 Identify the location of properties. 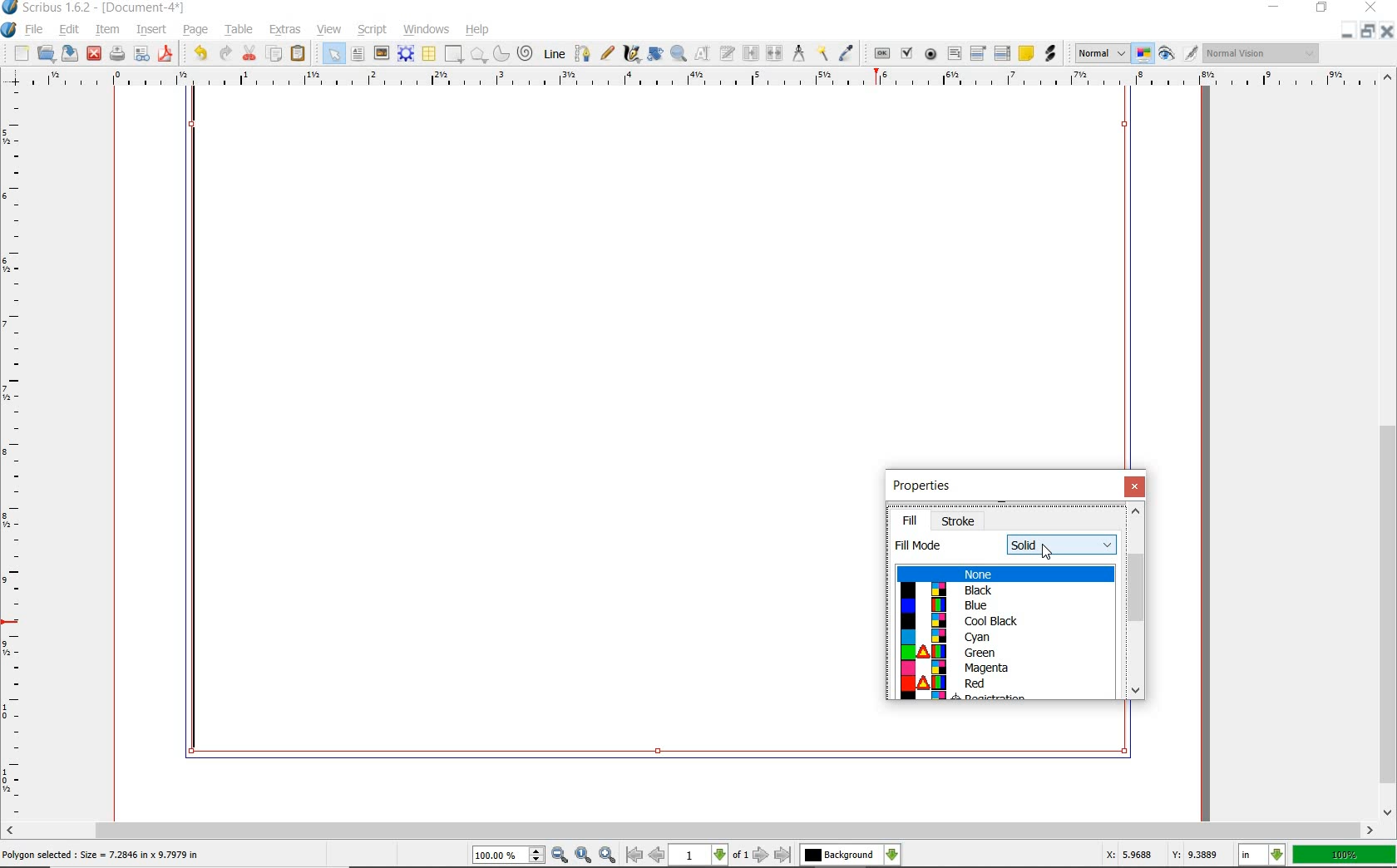
(923, 488).